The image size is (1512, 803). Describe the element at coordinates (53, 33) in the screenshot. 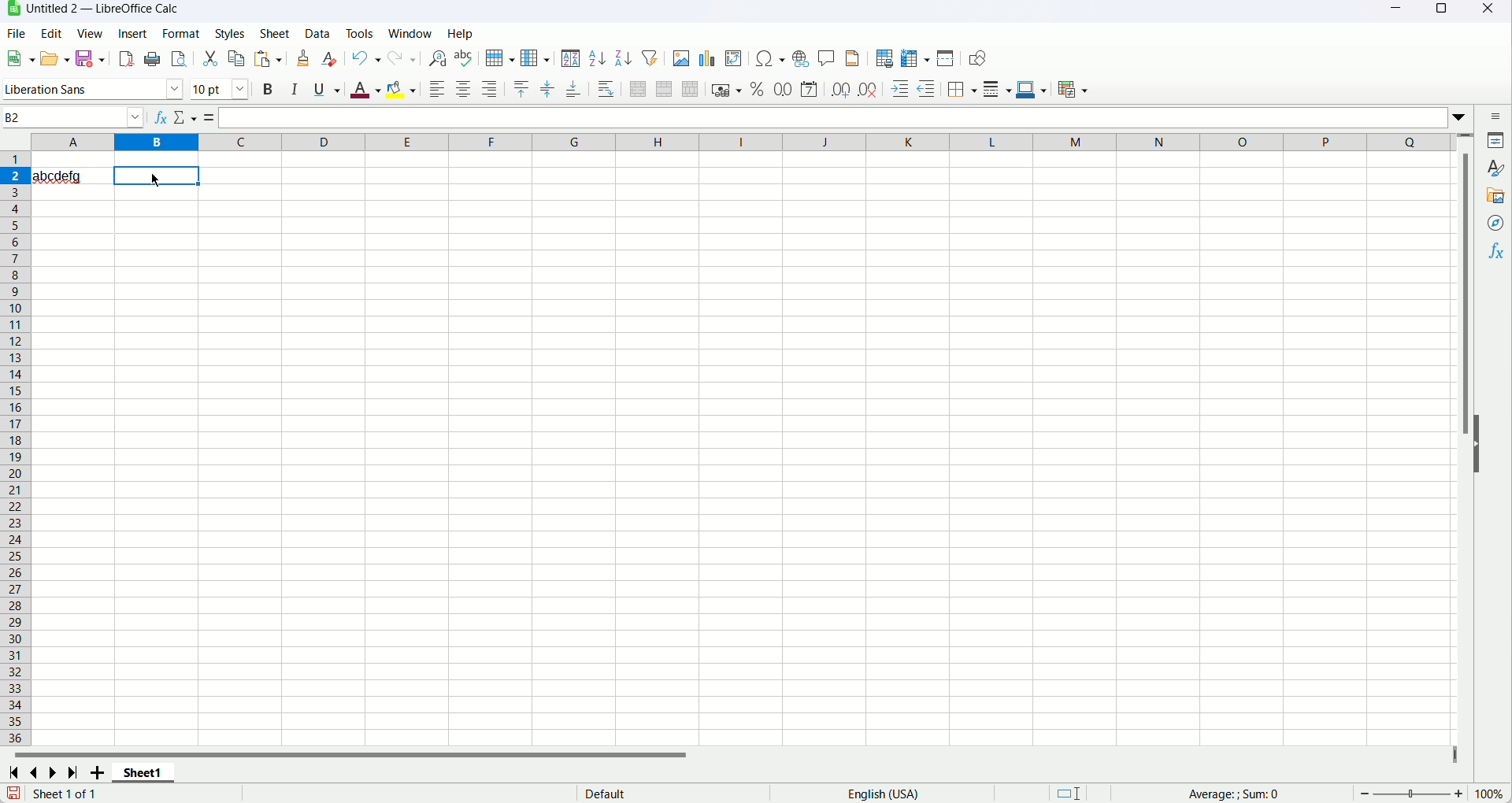

I see `edit` at that location.